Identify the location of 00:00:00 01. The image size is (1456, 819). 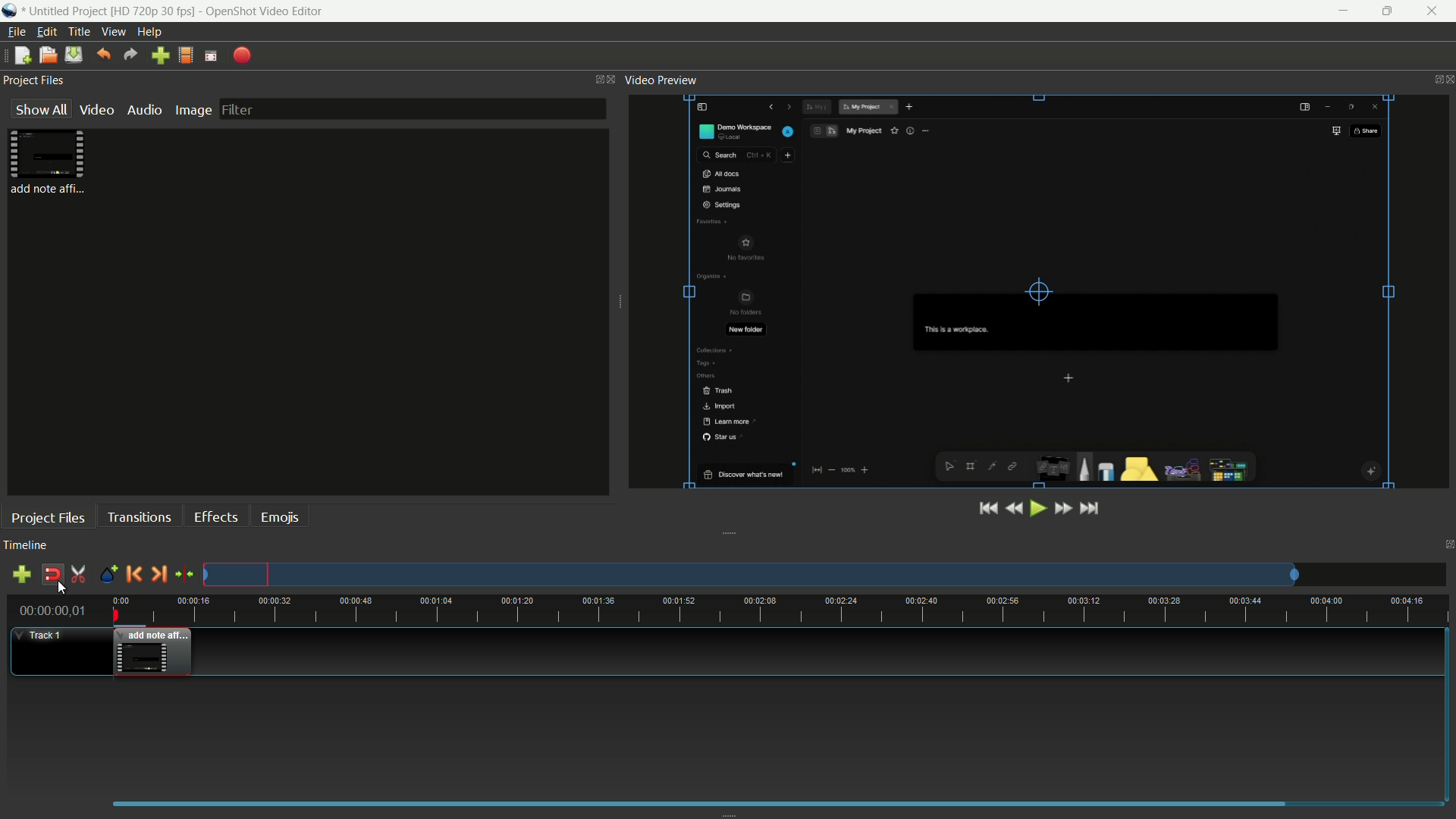
(52, 608).